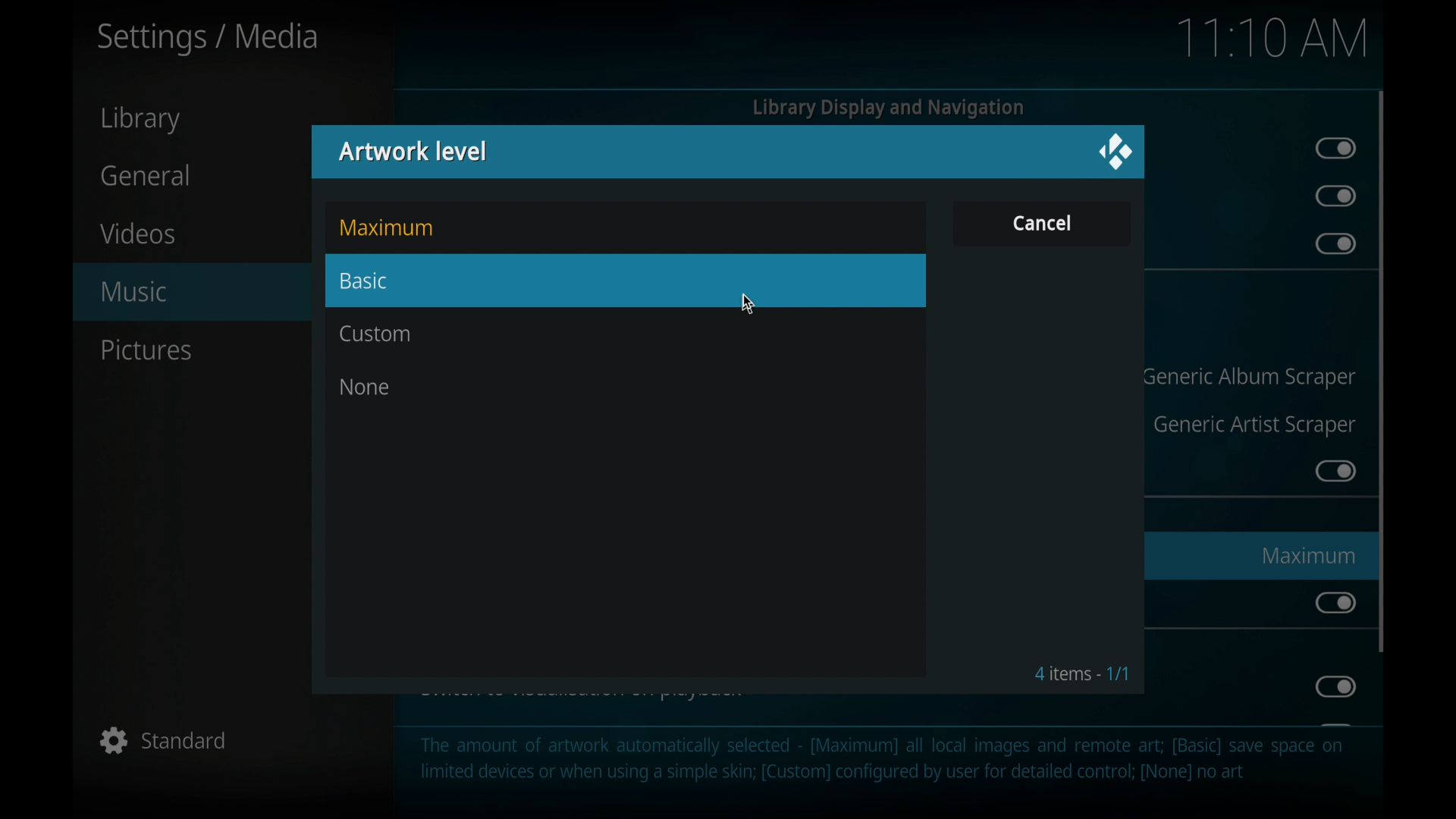 This screenshot has height=819, width=1456. What do you see at coordinates (145, 174) in the screenshot?
I see `general` at bounding box center [145, 174].